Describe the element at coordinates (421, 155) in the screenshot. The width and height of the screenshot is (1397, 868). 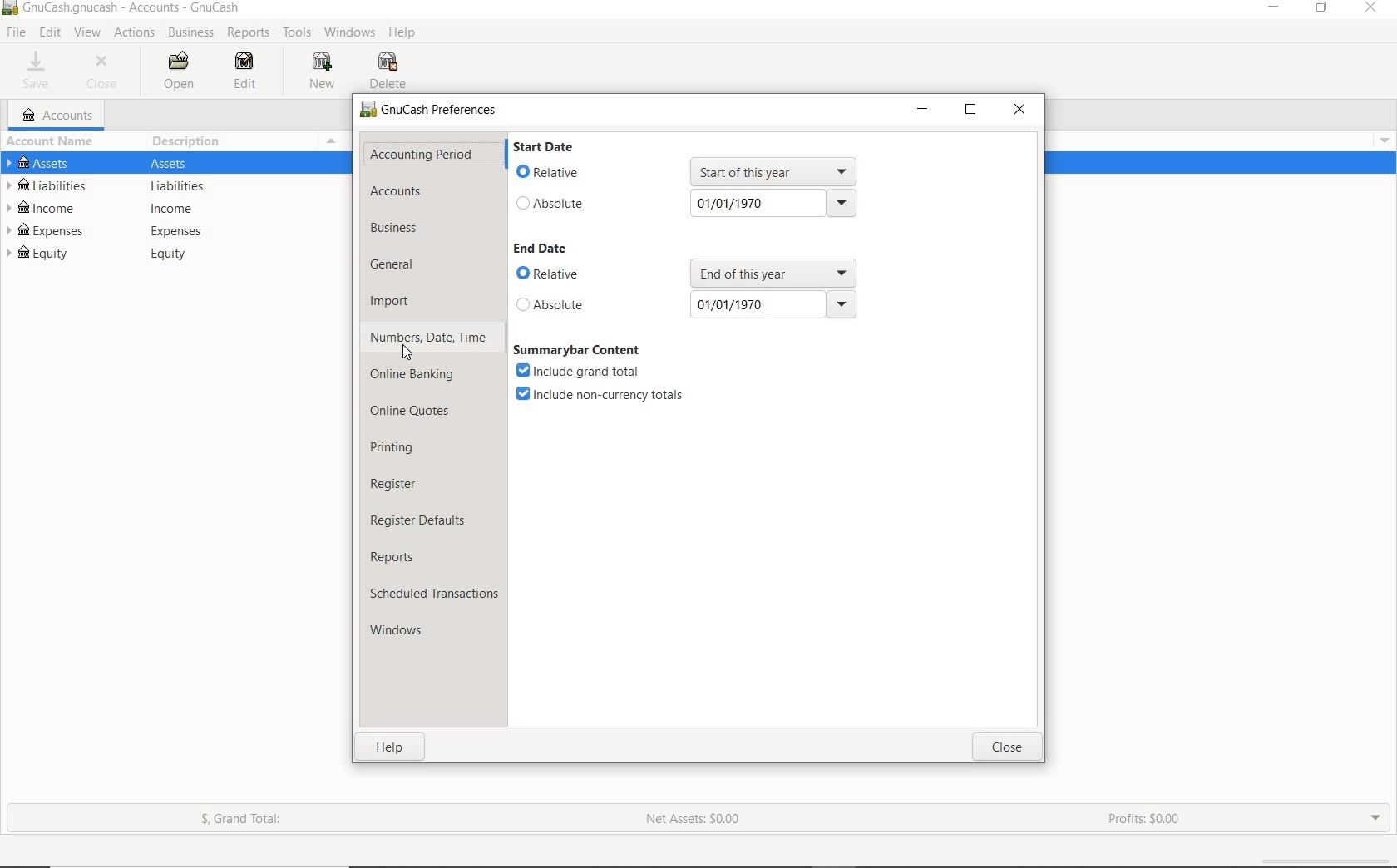
I see `accounting period` at that location.